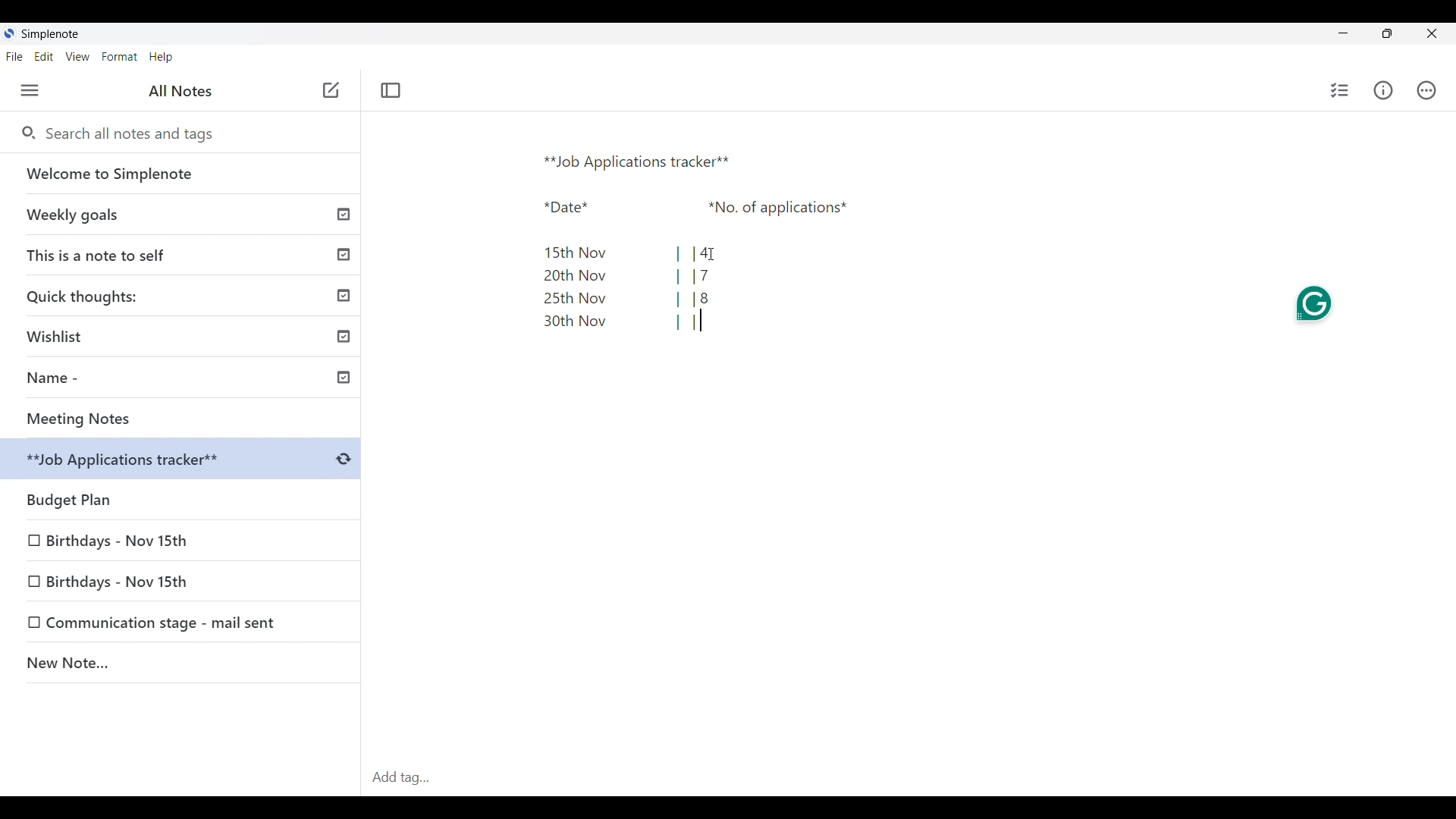 This screenshot has height=819, width=1456. I want to click on Welcome to Simplenote, so click(181, 174).